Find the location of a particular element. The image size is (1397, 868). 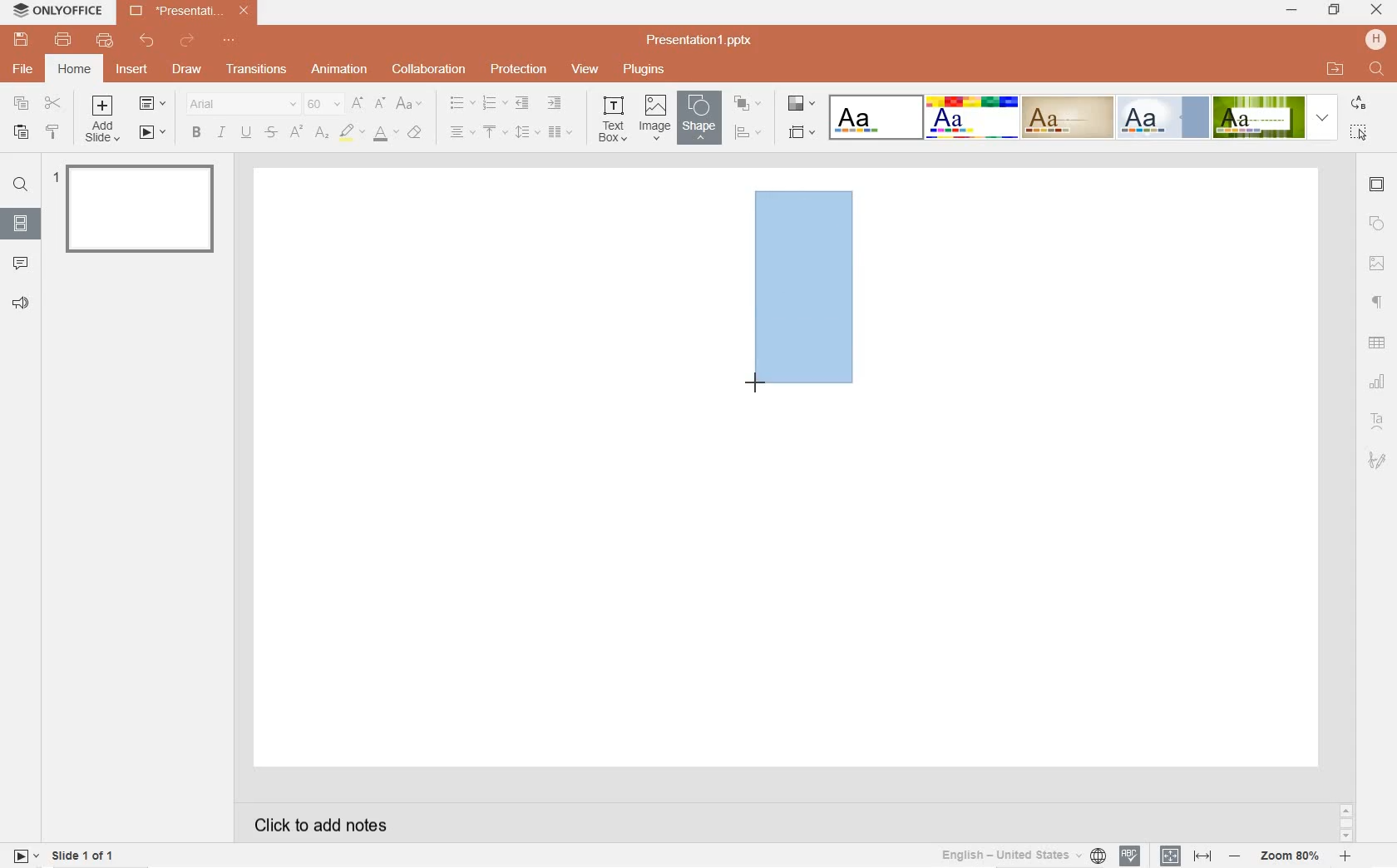

customize quick access toolbar is located at coordinates (233, 42).